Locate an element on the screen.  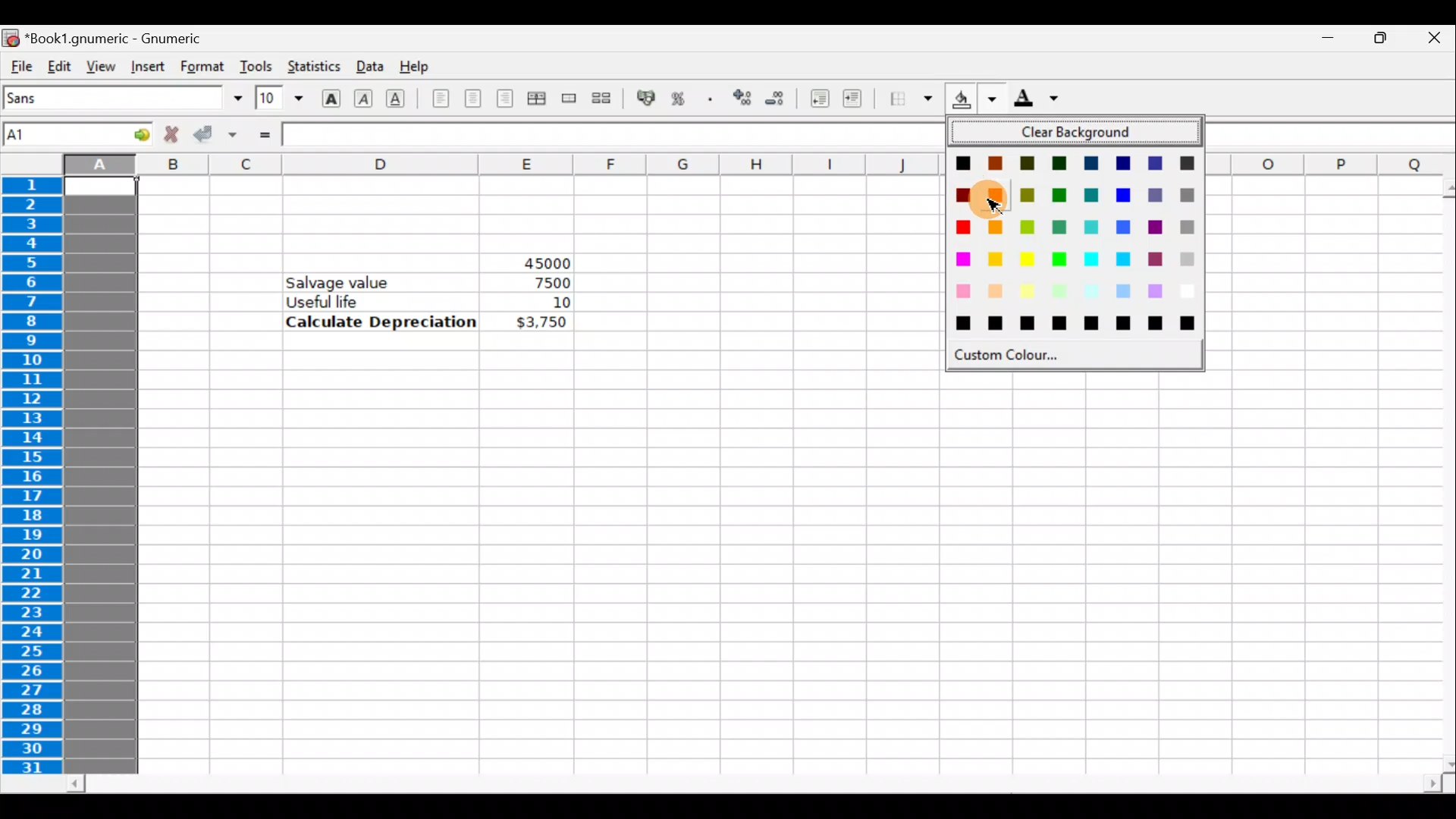
Color palette is located at coordinates (1078, 240).